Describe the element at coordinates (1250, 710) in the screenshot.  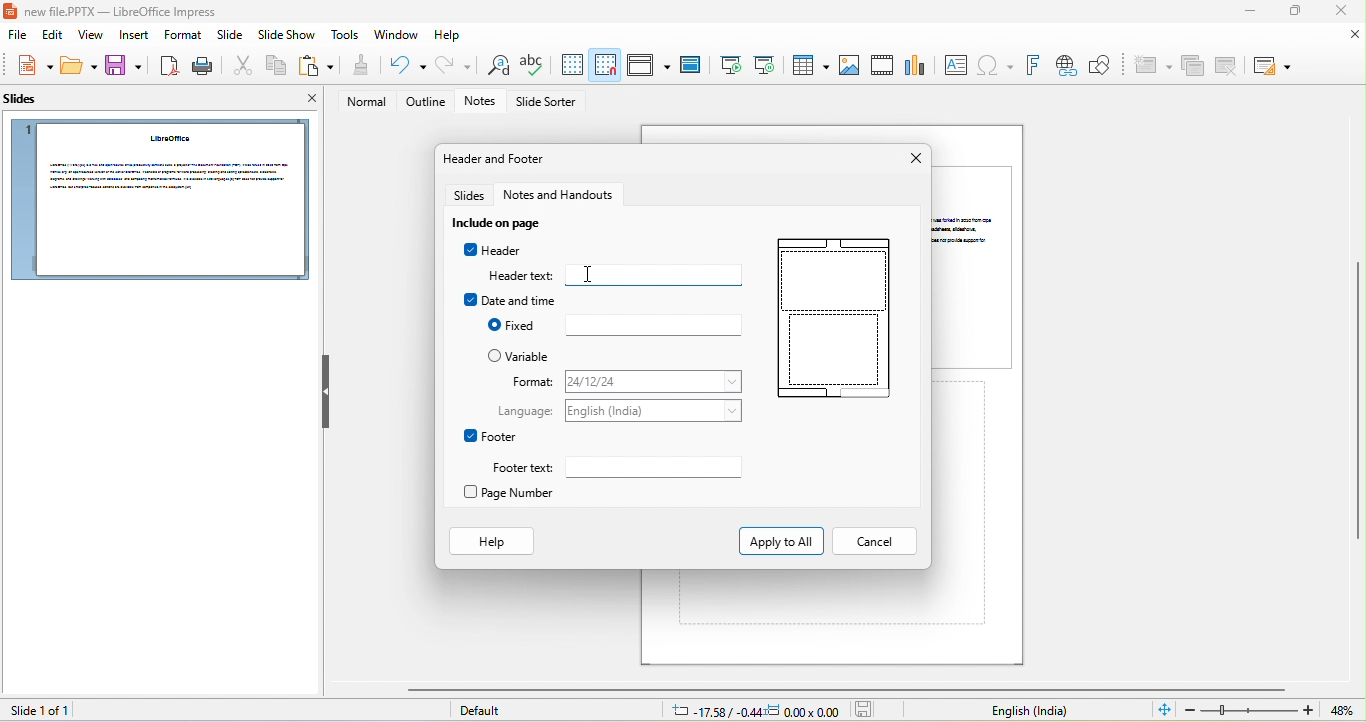
I see `zoom` at that location.